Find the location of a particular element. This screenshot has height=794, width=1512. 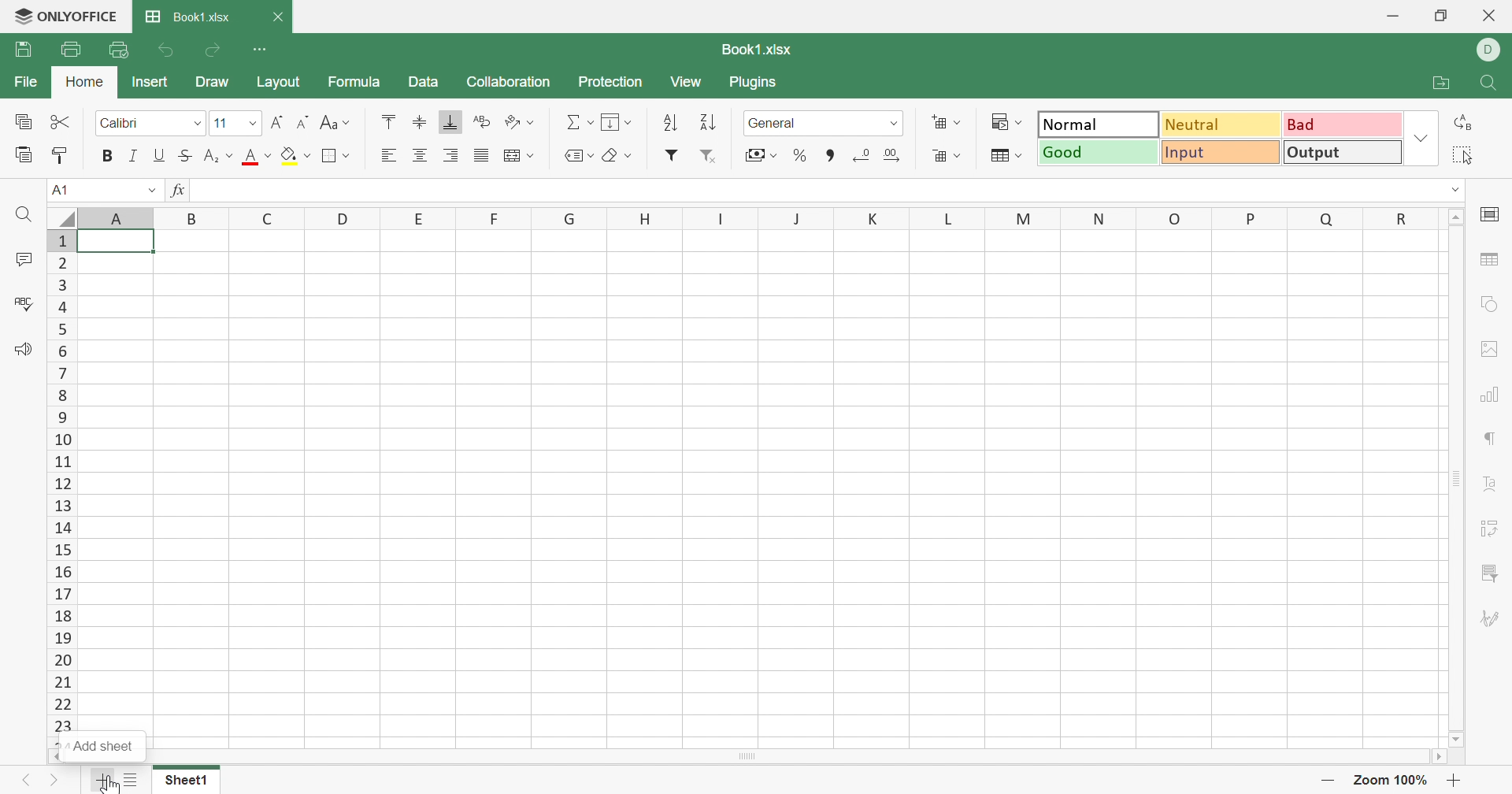

Align Left is located at coordinates (390, 156).